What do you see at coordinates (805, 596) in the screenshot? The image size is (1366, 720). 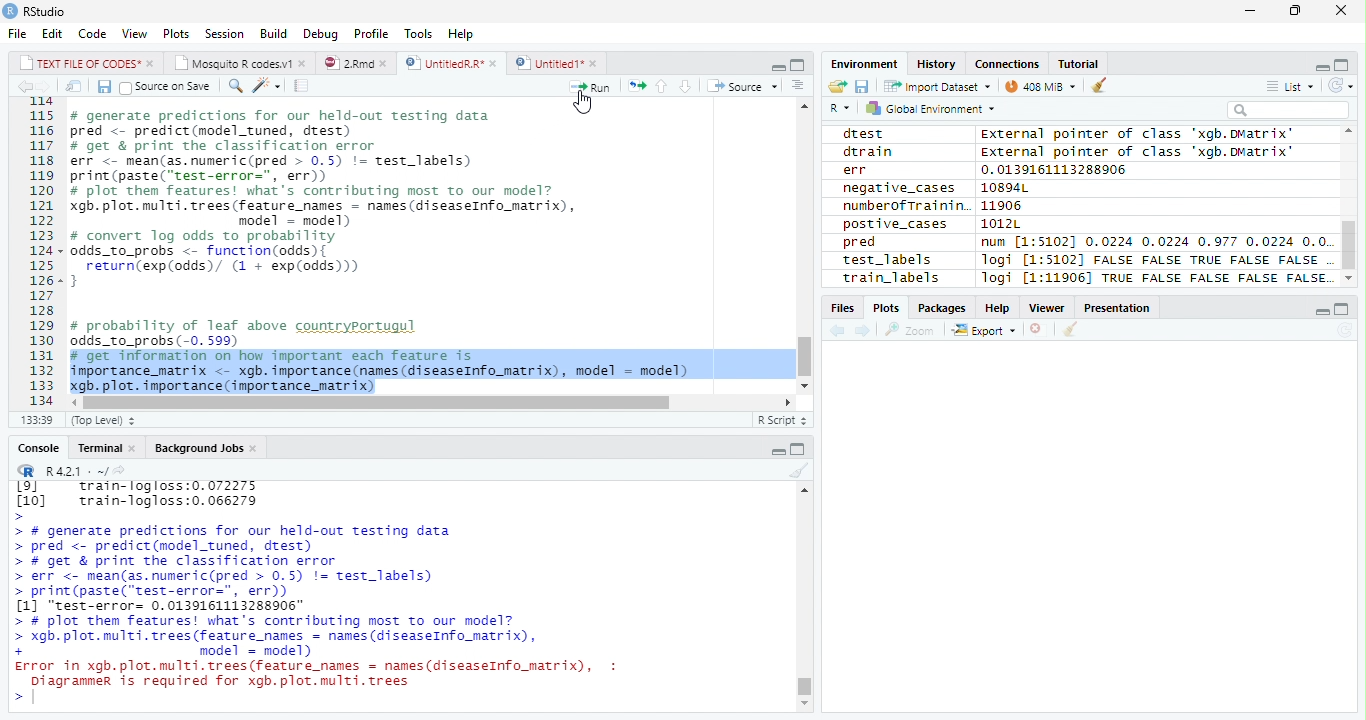 I see `Scroll` at bounding box center [805, 596].